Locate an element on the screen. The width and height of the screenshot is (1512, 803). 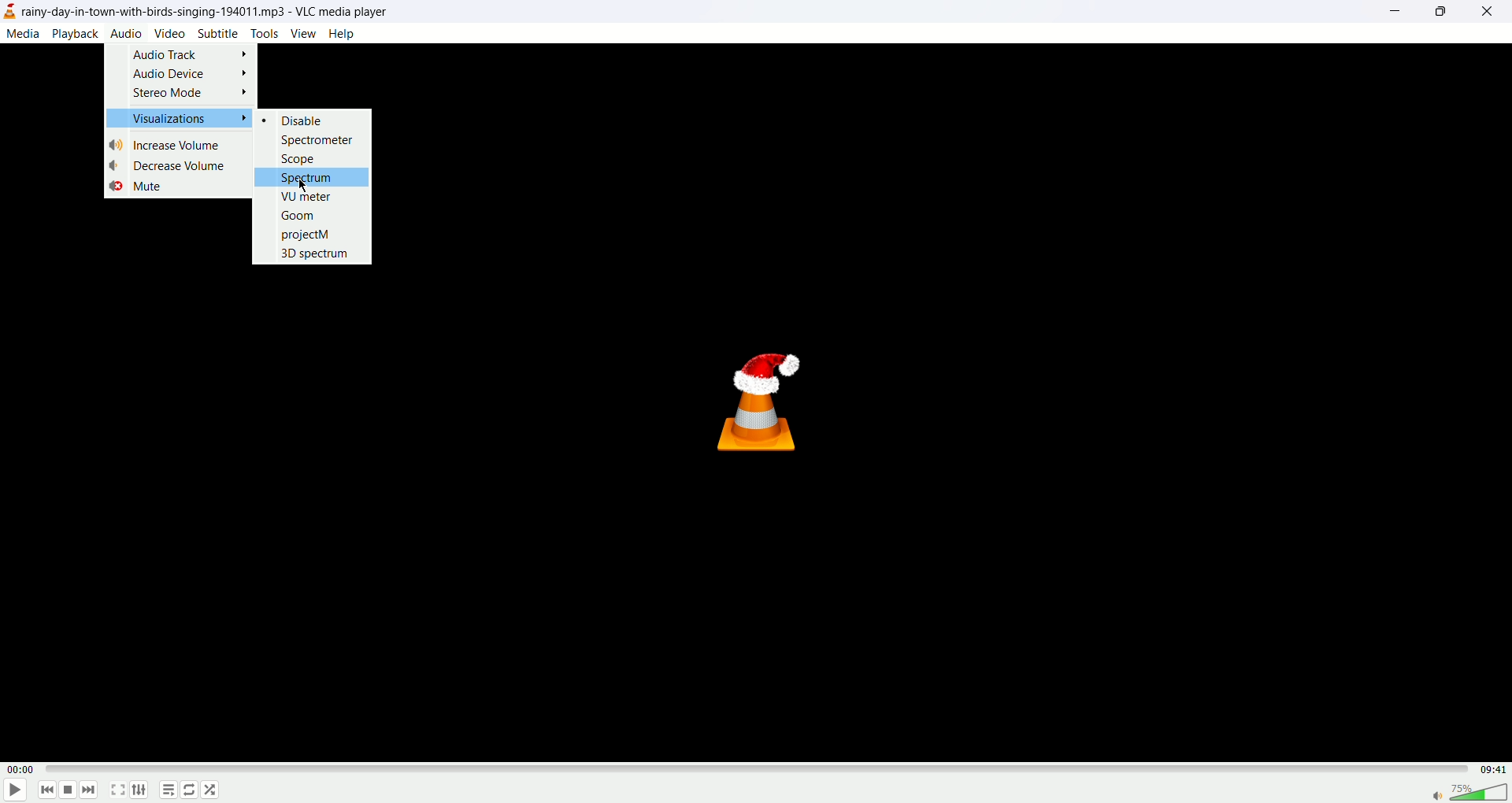
stop is located at coordinates (69, 790).